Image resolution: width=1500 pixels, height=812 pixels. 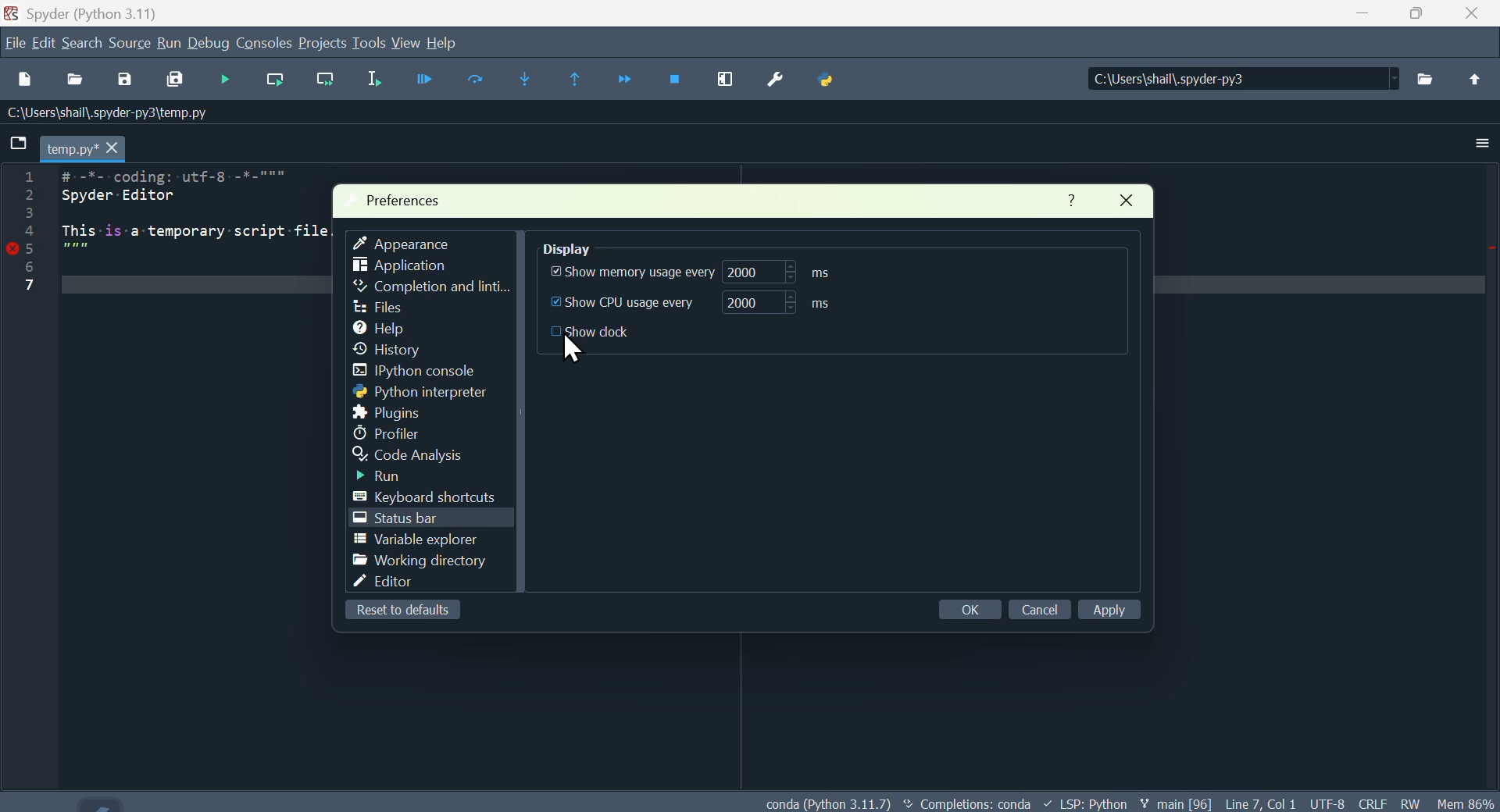 I want to click on Display, so click(x=587, y=244).